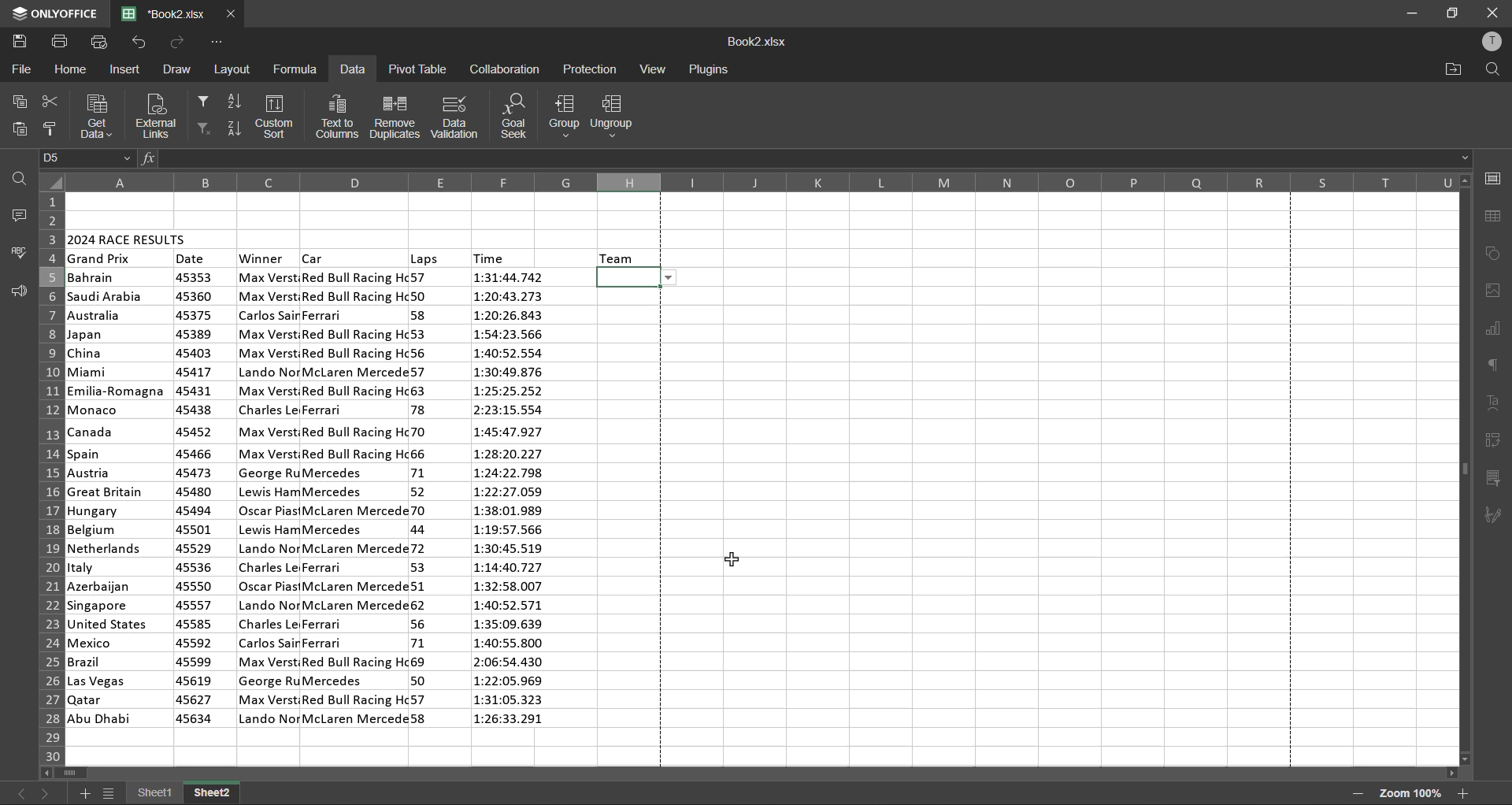  What do you see at coordinates (278, 117) in the screenshot?
I see `custom sort` at bounding box center [278, 117].